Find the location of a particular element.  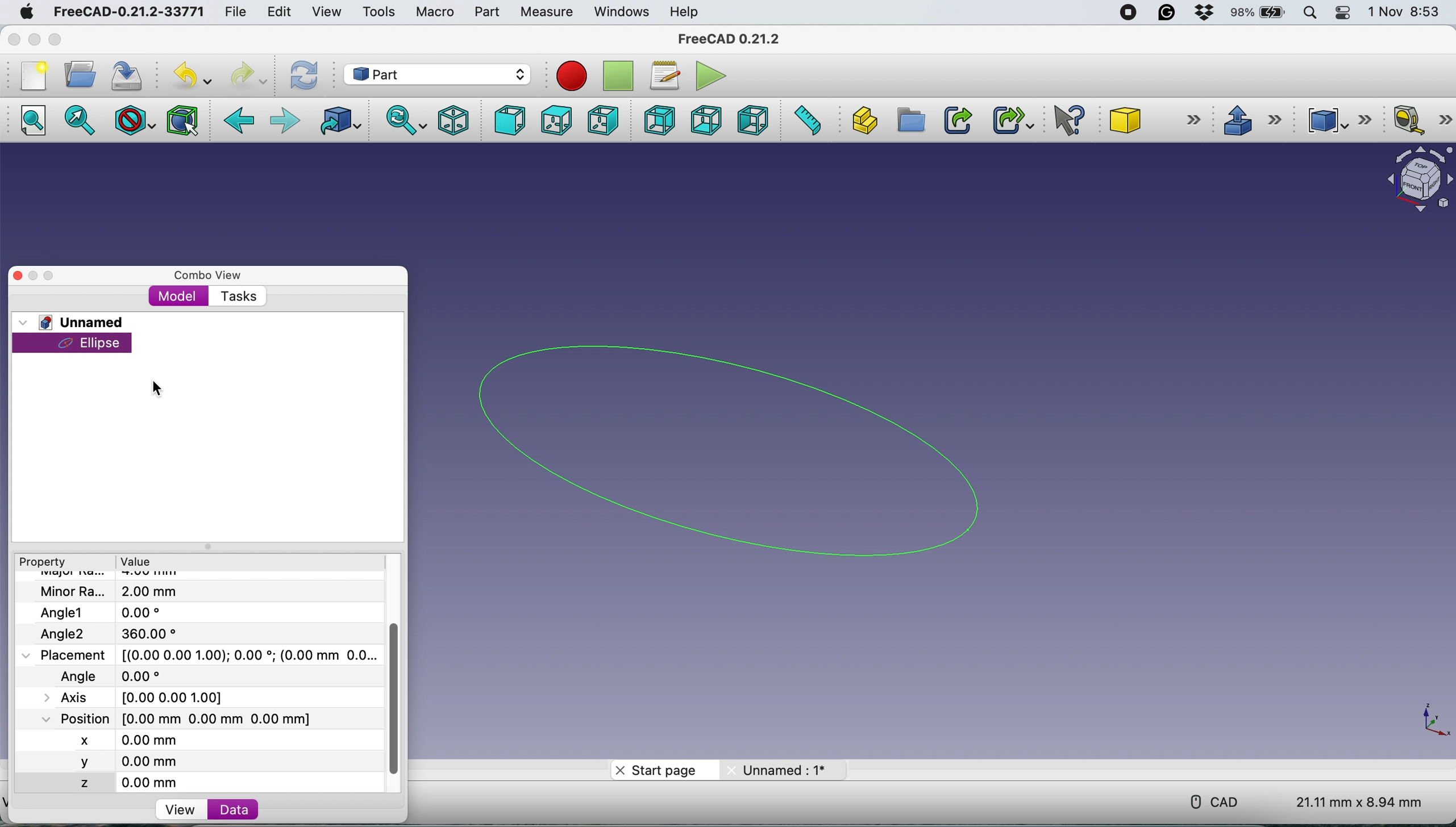

workbench is located at coordinates (437, 76).